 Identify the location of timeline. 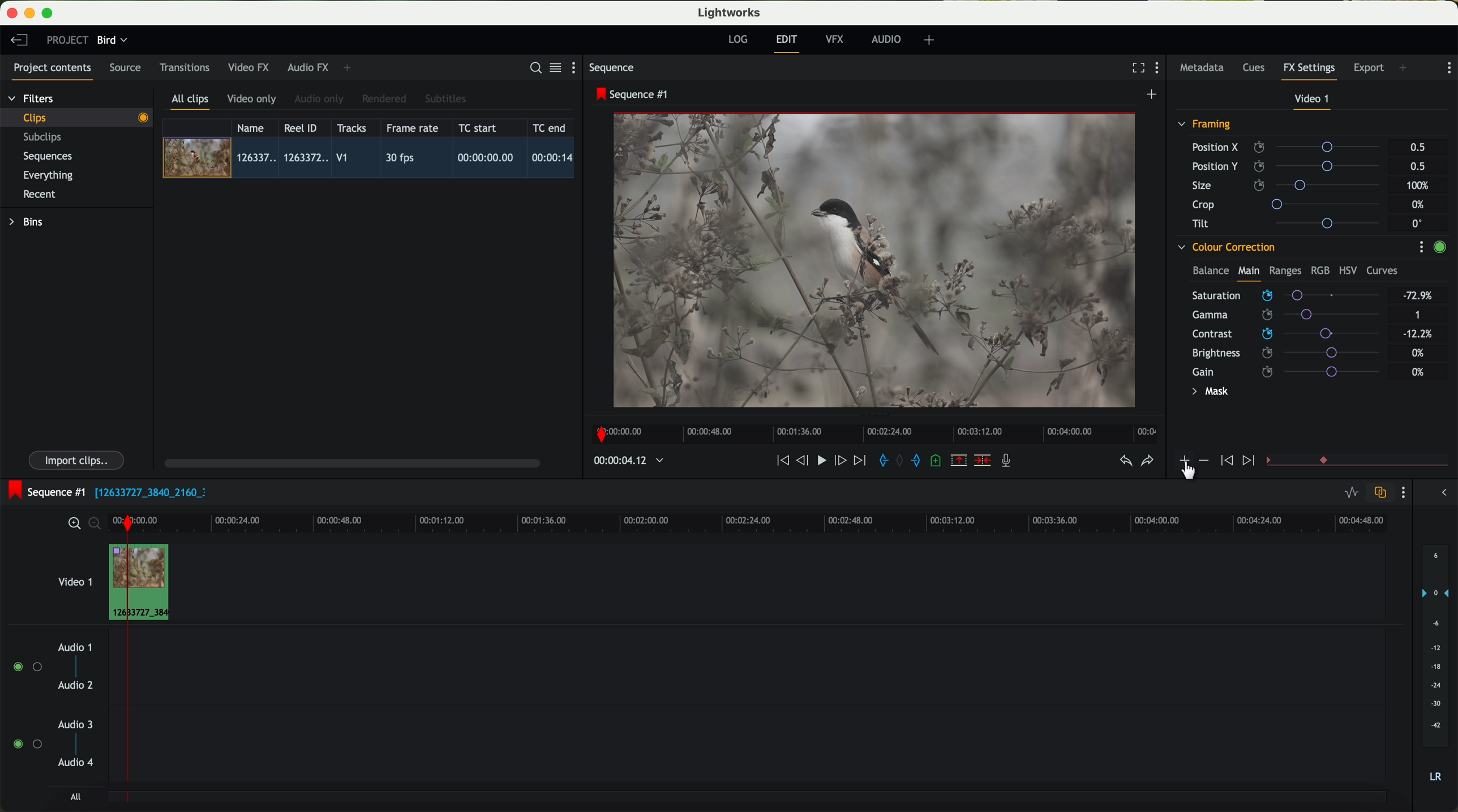
(784, 522).